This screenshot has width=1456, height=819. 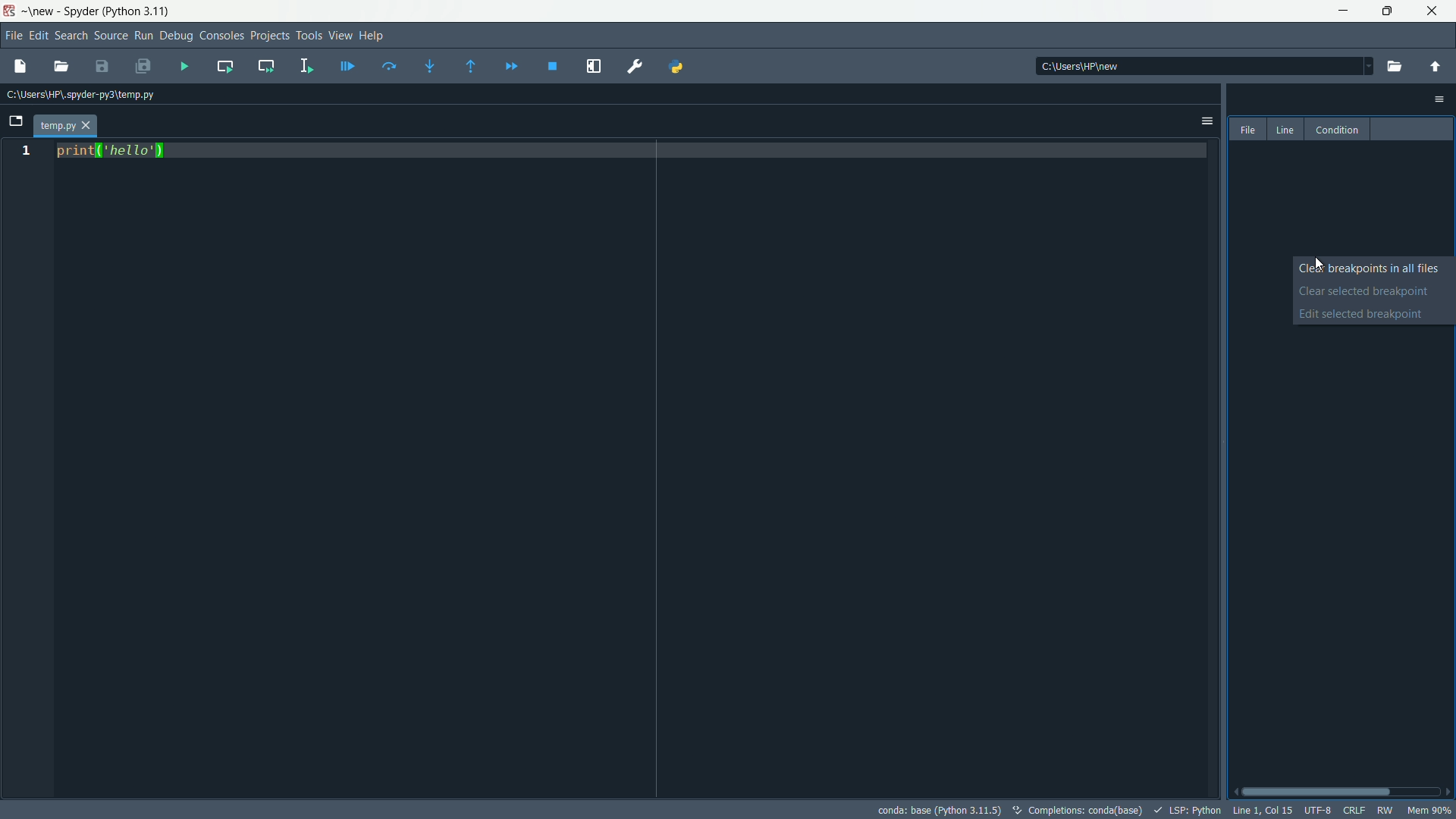 I want to click on line, so click(x=1285, y=130).